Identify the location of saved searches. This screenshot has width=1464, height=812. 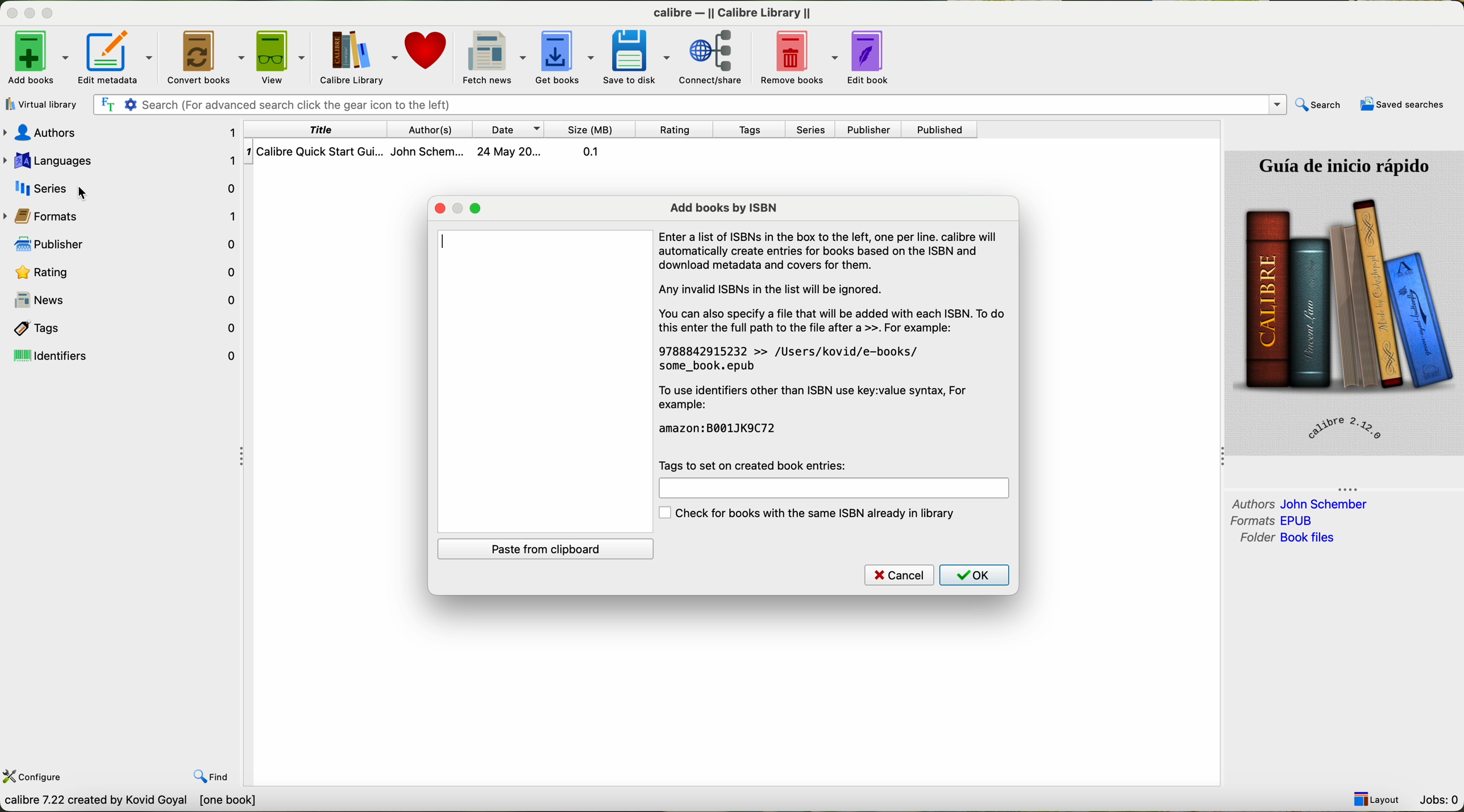
(1401, 106).